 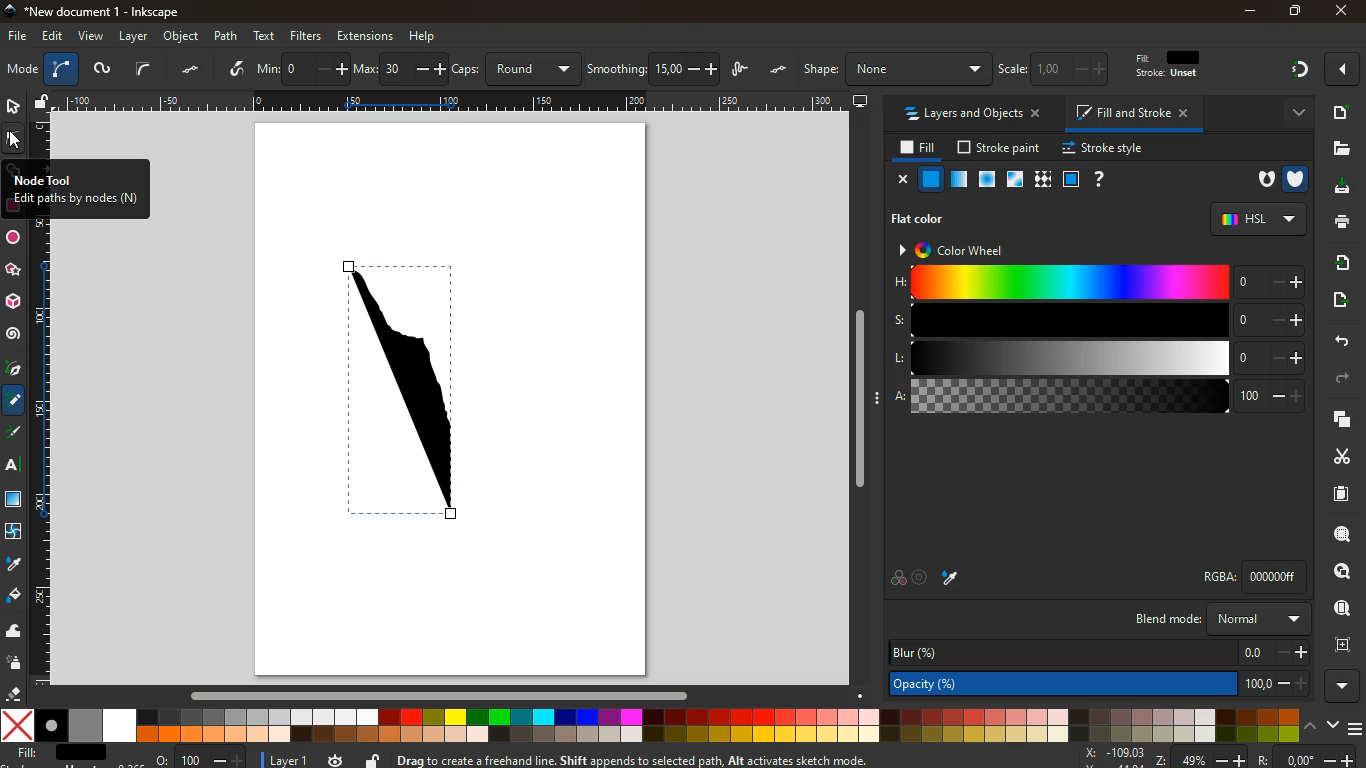 What do you see at coordinates (1102, 68) in the screenshot?
I see `edit` at bounding box center [1102, 68].